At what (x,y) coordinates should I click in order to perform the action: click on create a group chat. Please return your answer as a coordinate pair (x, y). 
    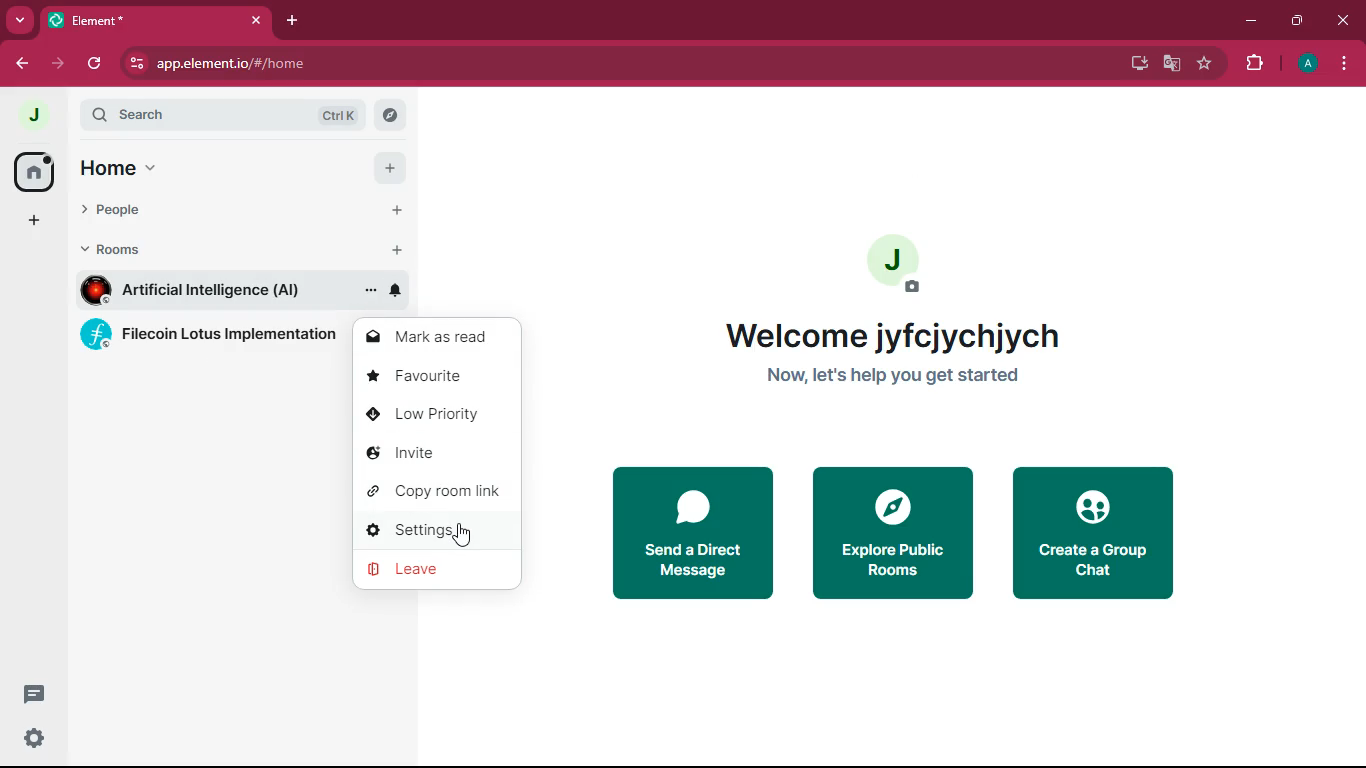
    Looking at the image, I should click on (1091, 533).